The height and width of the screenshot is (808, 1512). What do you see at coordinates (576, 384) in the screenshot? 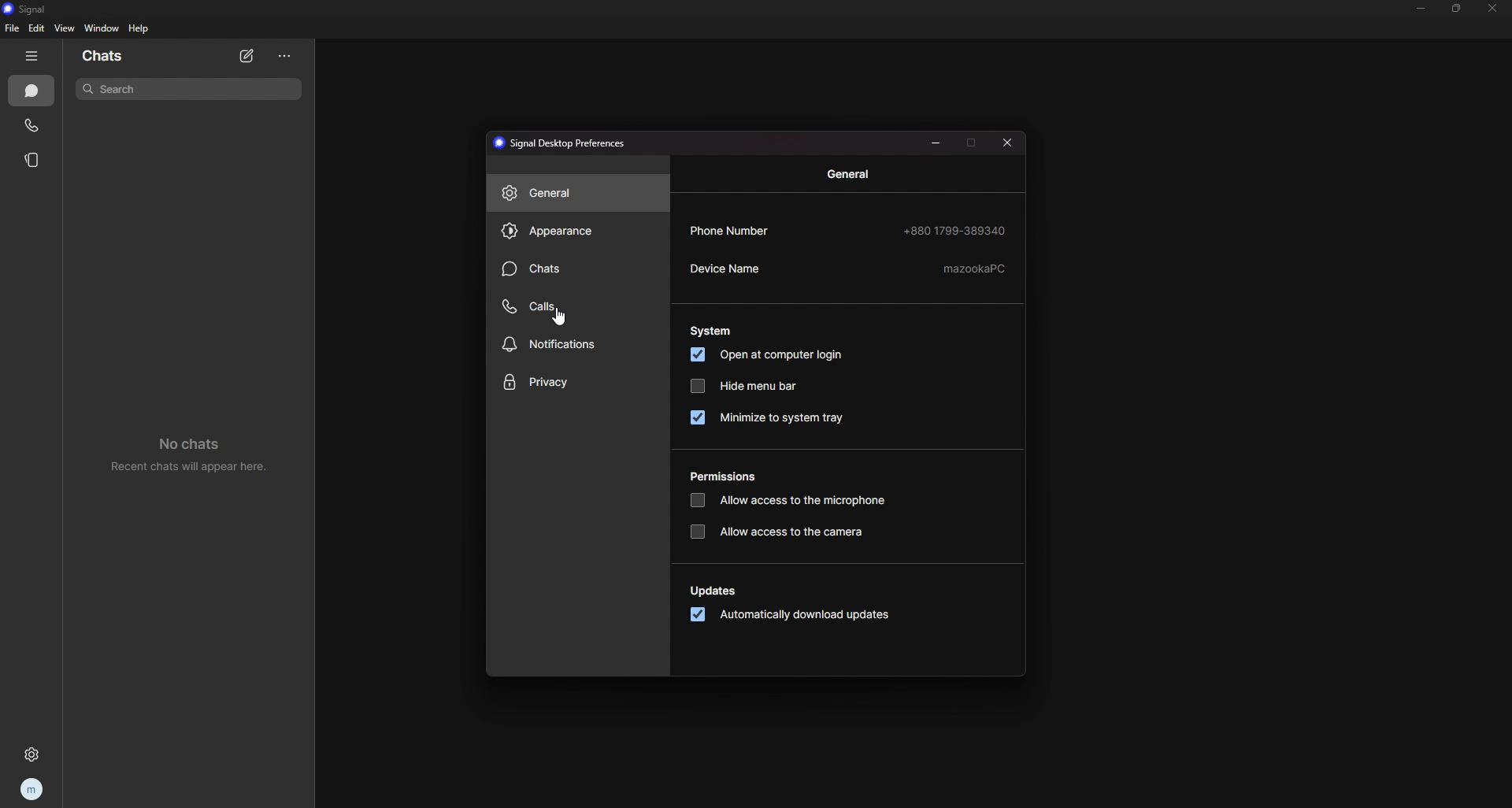
I see `privacy` at bounding box center [576, 384].